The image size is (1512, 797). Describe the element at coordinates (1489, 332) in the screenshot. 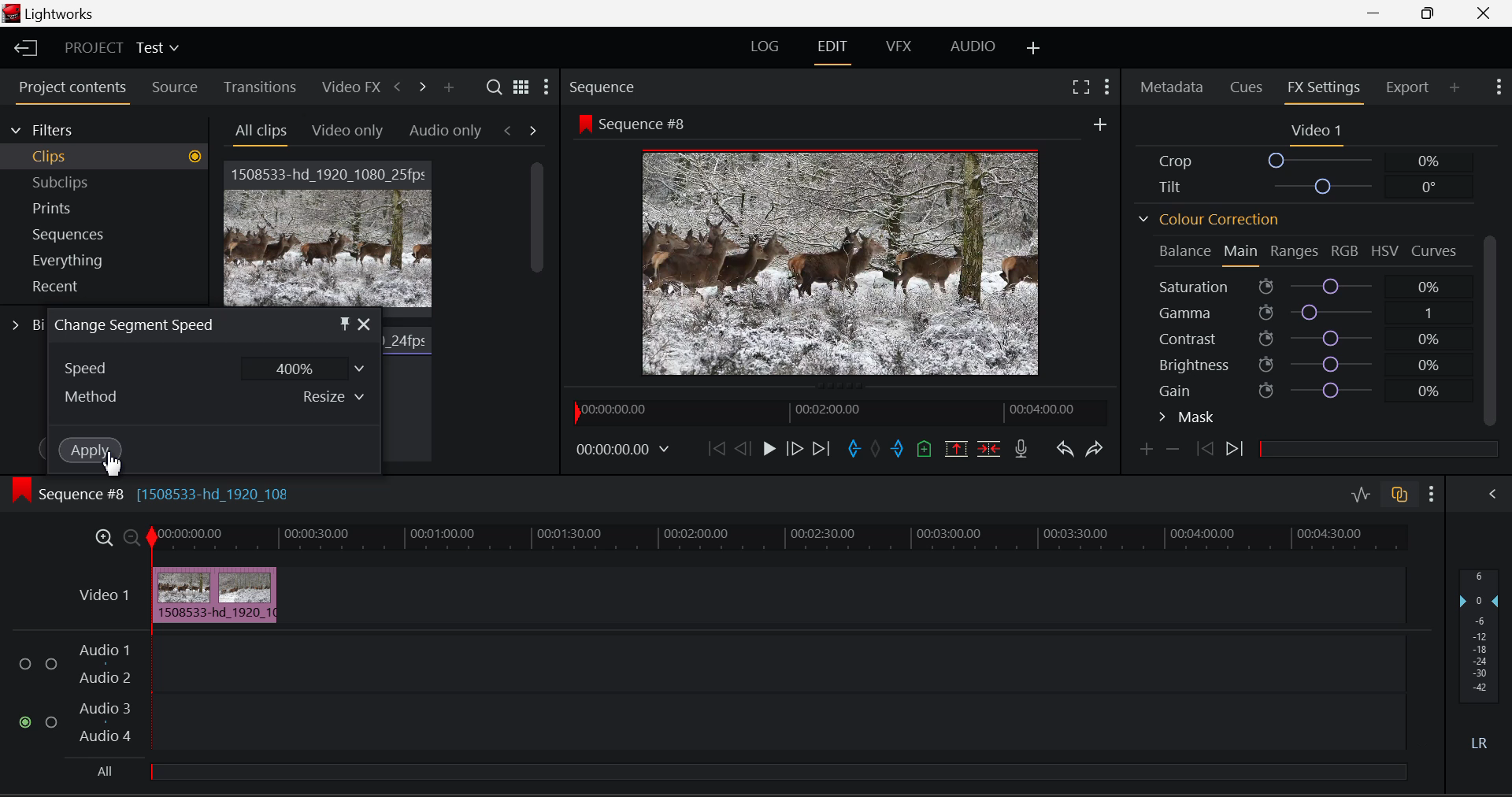

I see `Scroll Bar` at that location.